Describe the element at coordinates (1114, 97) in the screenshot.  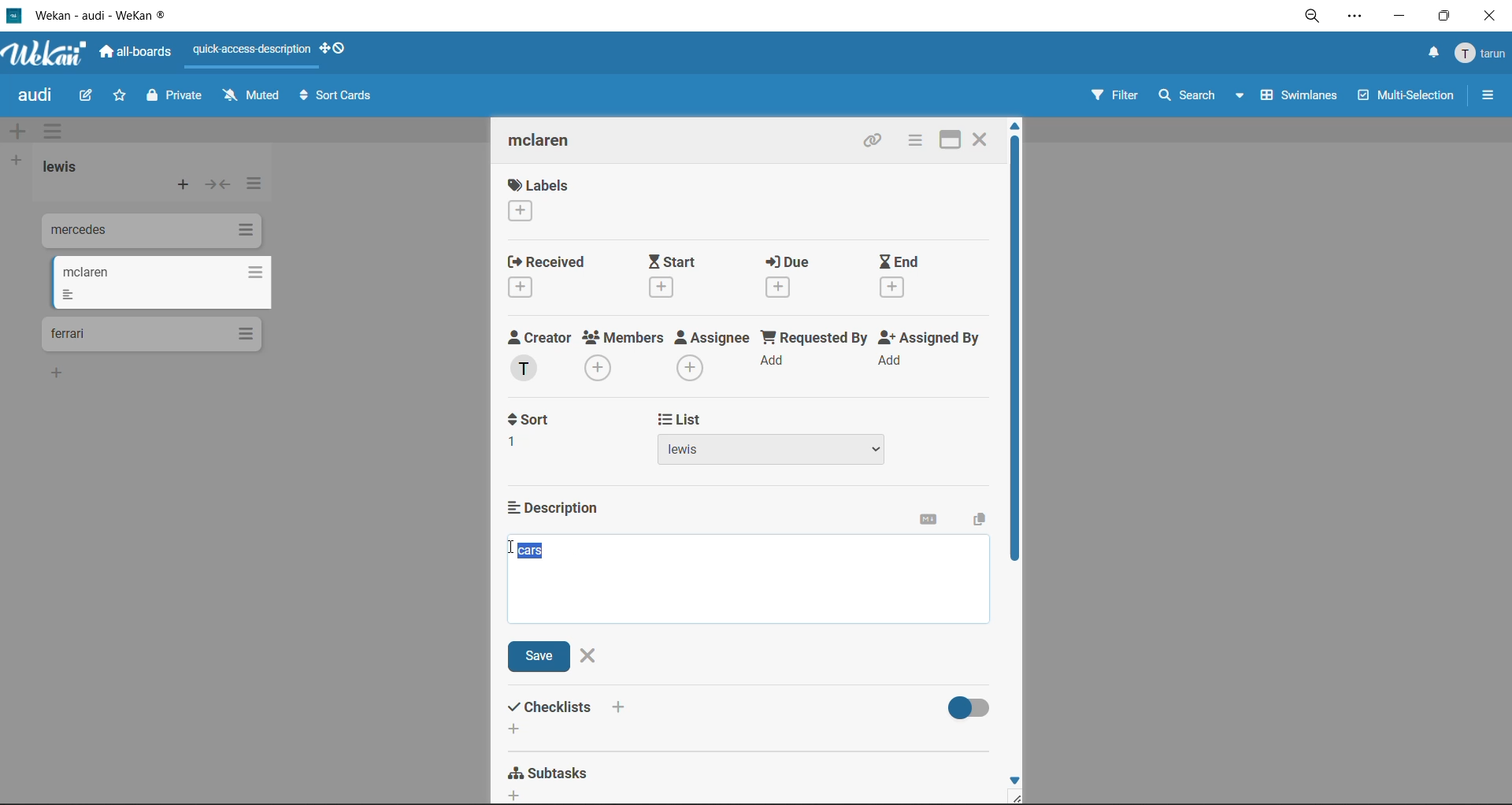
I see `filter` at that location.